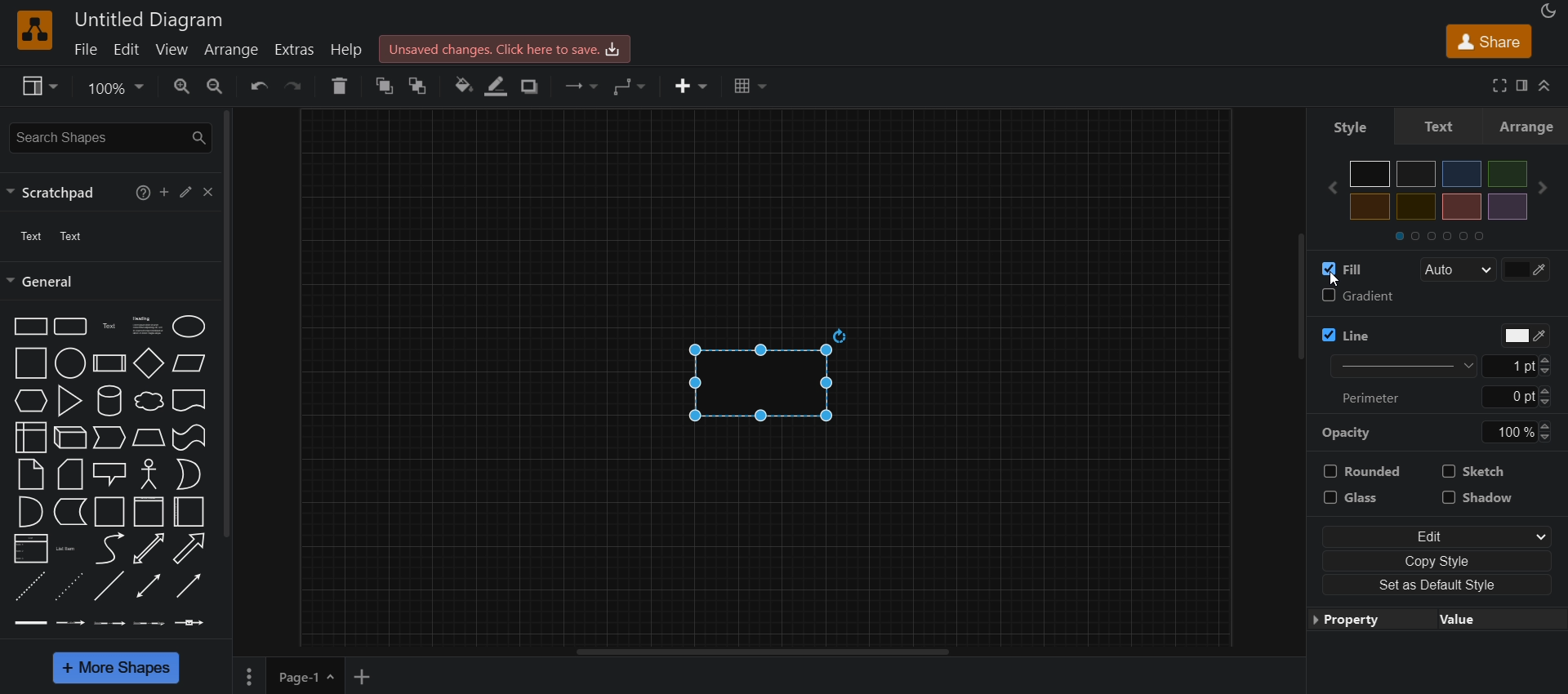 This screenshot has height=694, width=1568. What do you see at coordinates (307, 676) in the screenshot?
I see `current page` at bounding box center [307, 676].